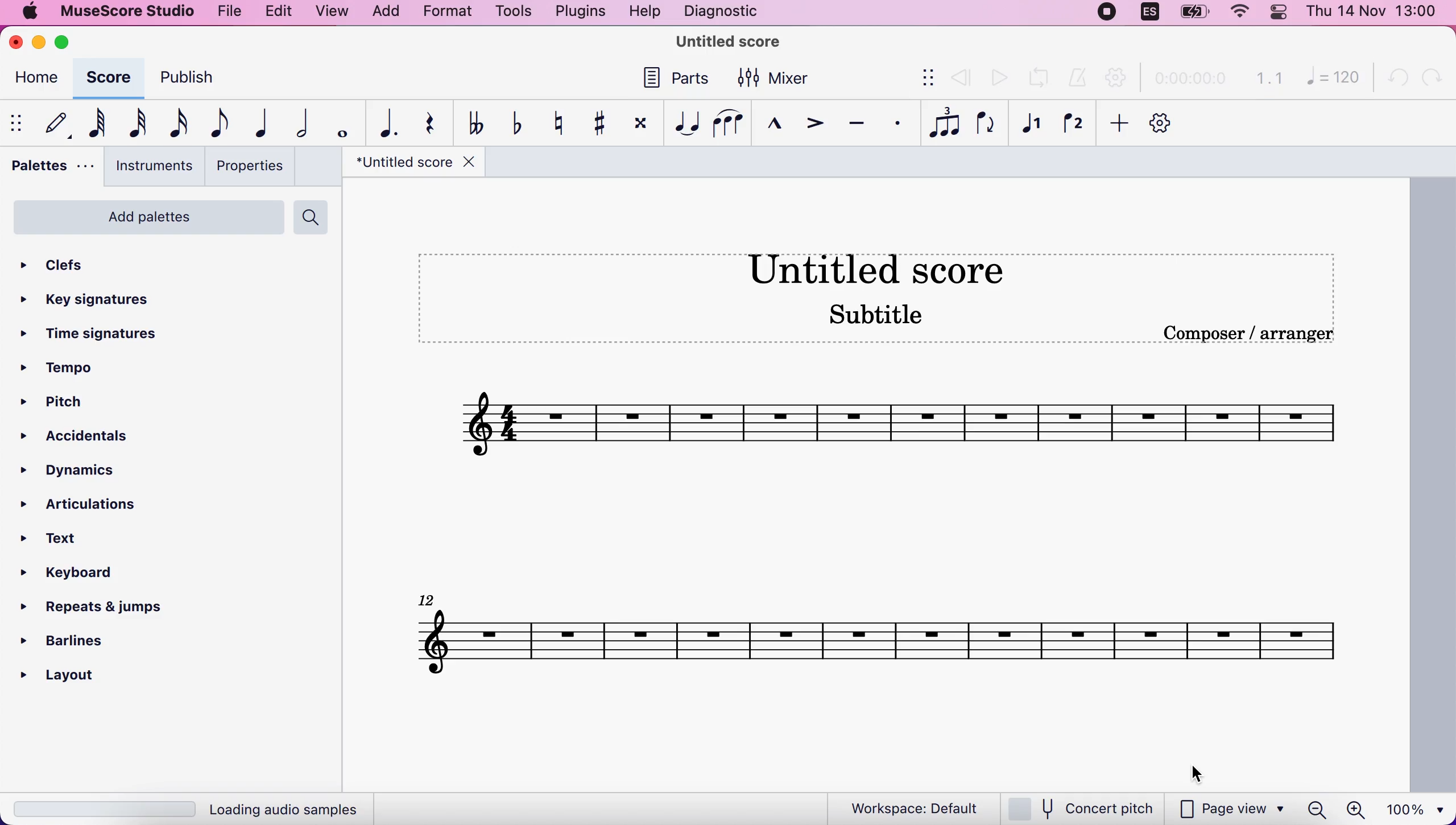 The height and width of the screenshot is (825, 1456). I want to click on augmentation dot, so click(386, 124).